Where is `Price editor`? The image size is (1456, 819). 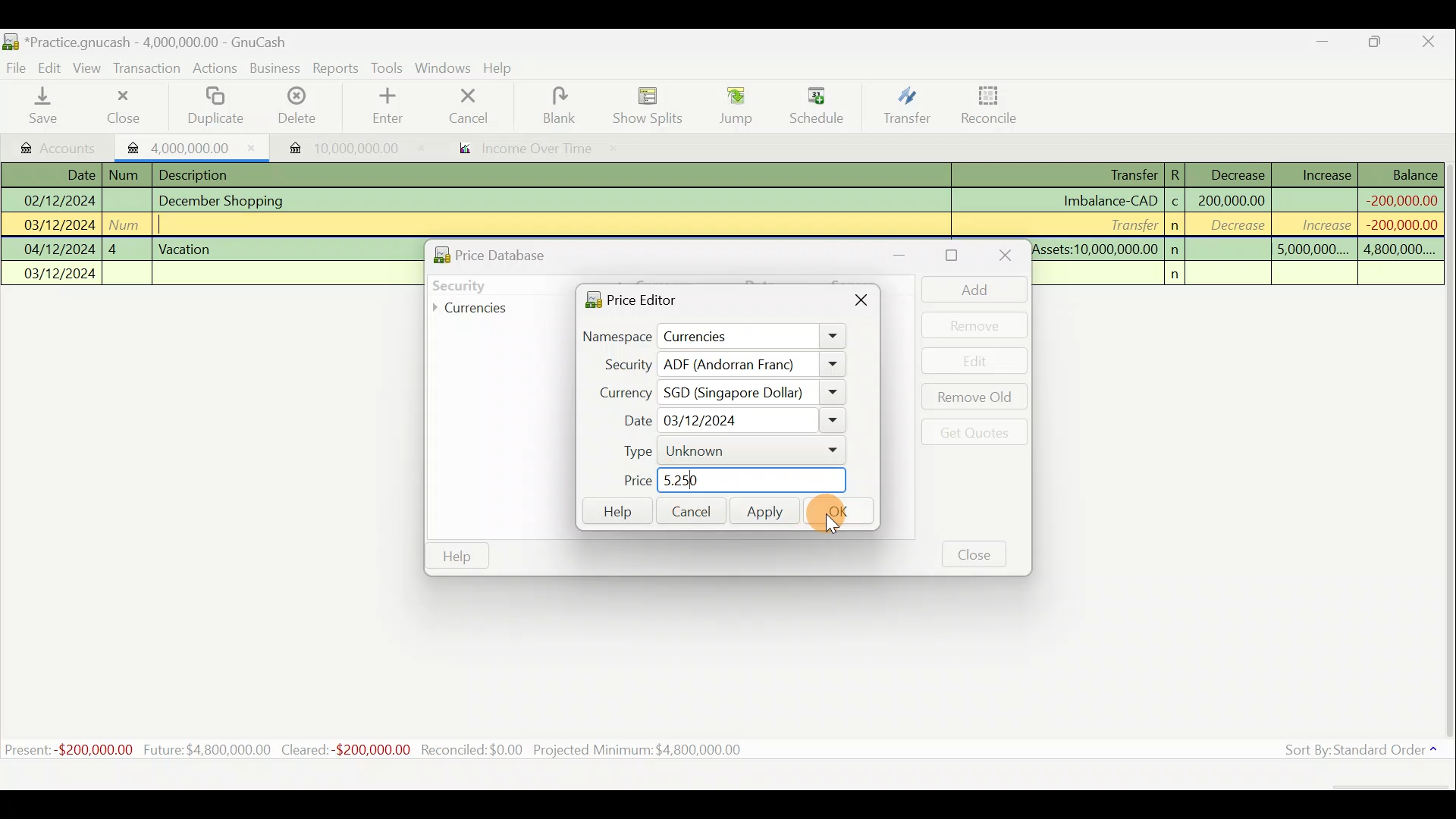
Price editor is located at coordinates (626, 299).